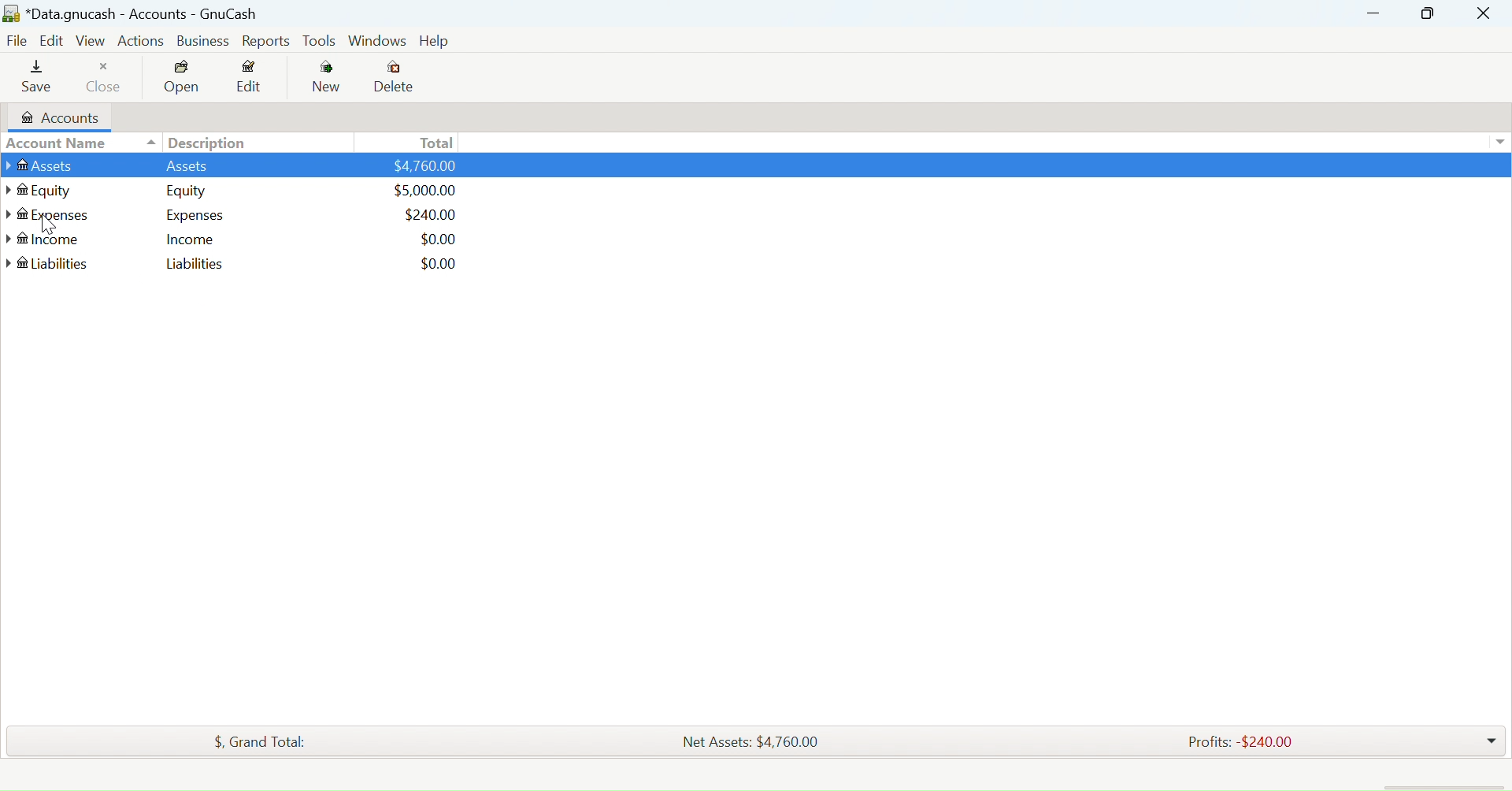  Describe the element at coordinates (376, 42) in the screenshot. I see `Windows` at that location.